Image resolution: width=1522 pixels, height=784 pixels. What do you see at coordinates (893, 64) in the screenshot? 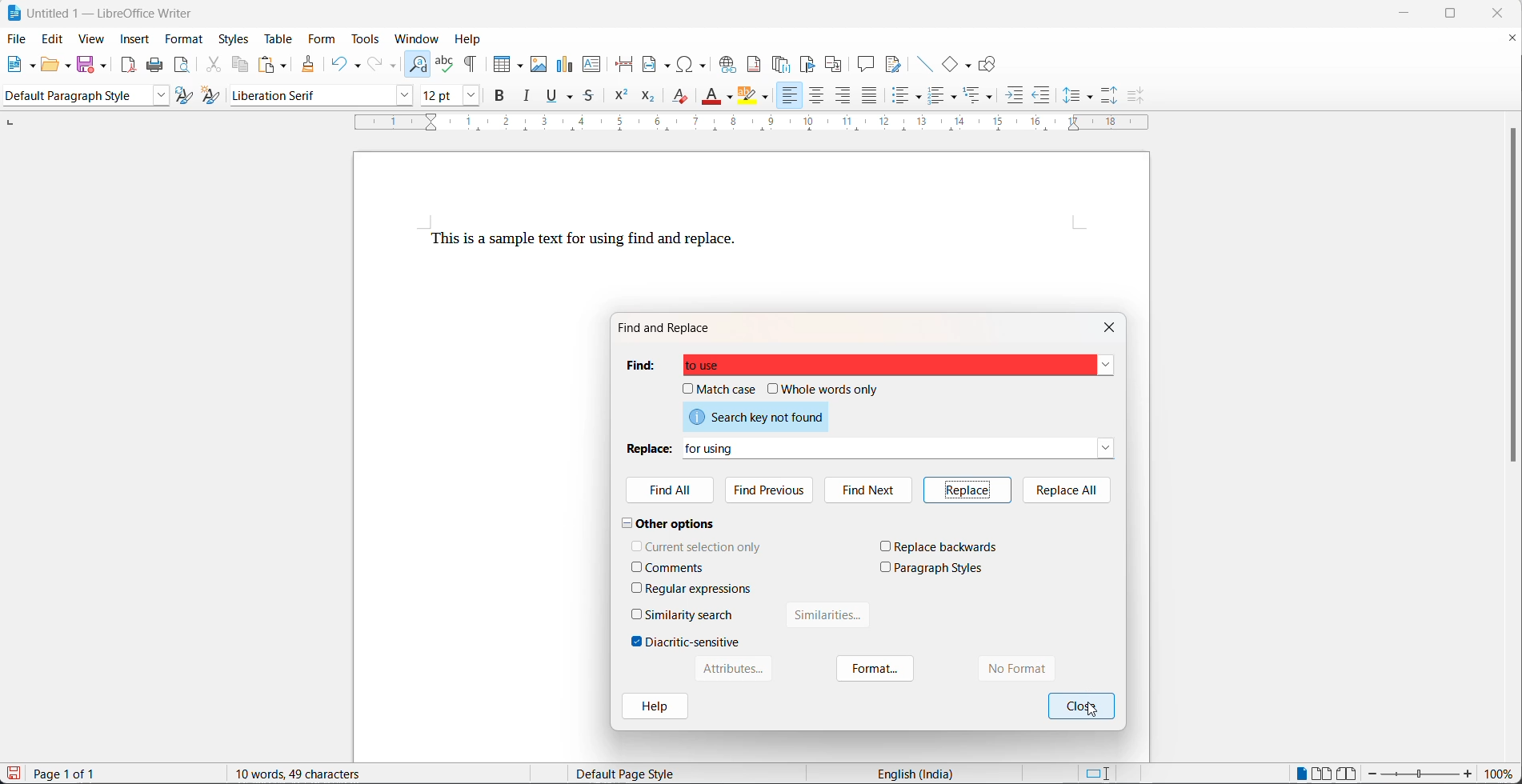
I see `show track changes functions` at bounding box center [893, 64].